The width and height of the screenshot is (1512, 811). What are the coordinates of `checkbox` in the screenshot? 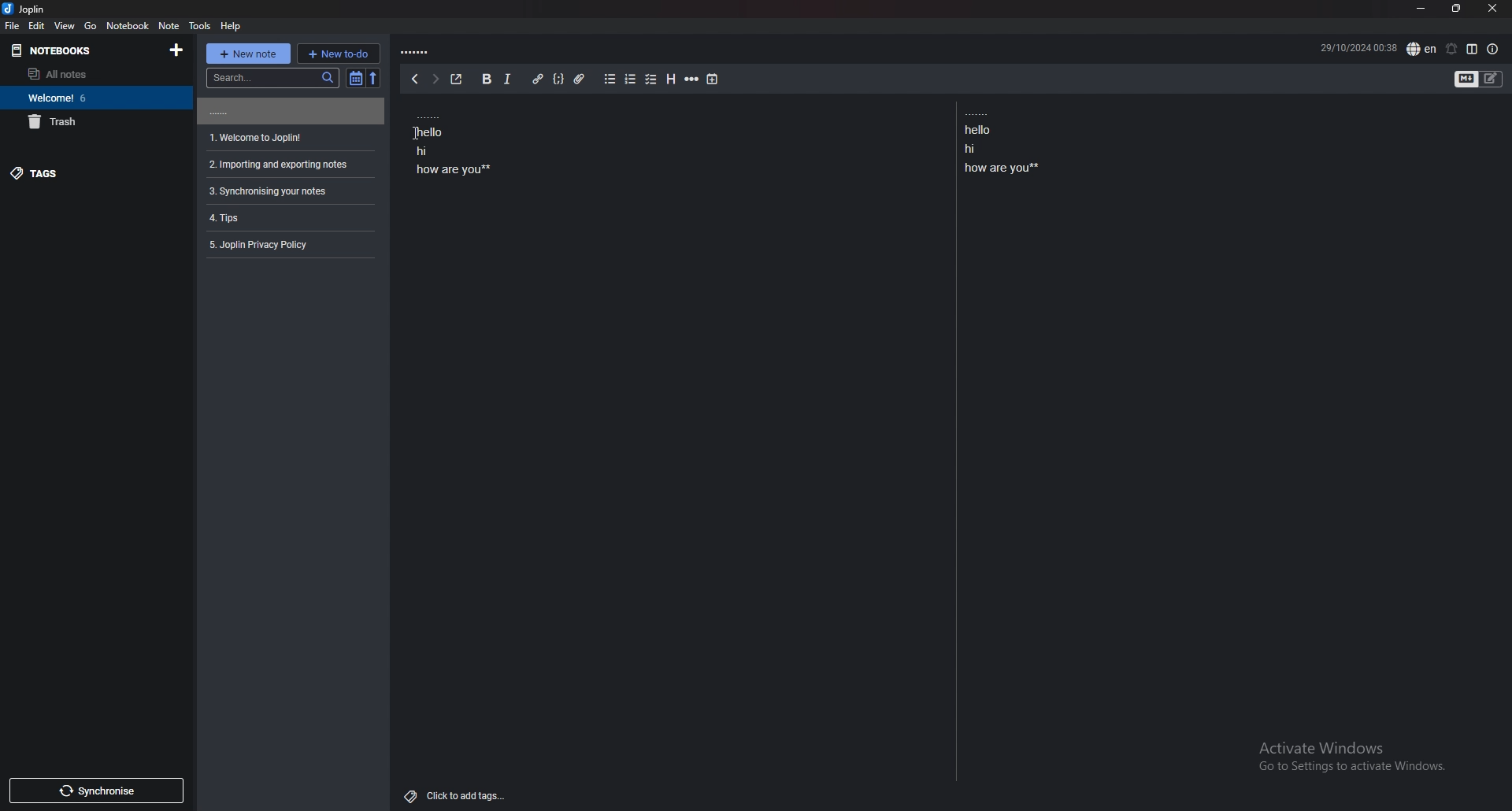 It's located at (652, 80).